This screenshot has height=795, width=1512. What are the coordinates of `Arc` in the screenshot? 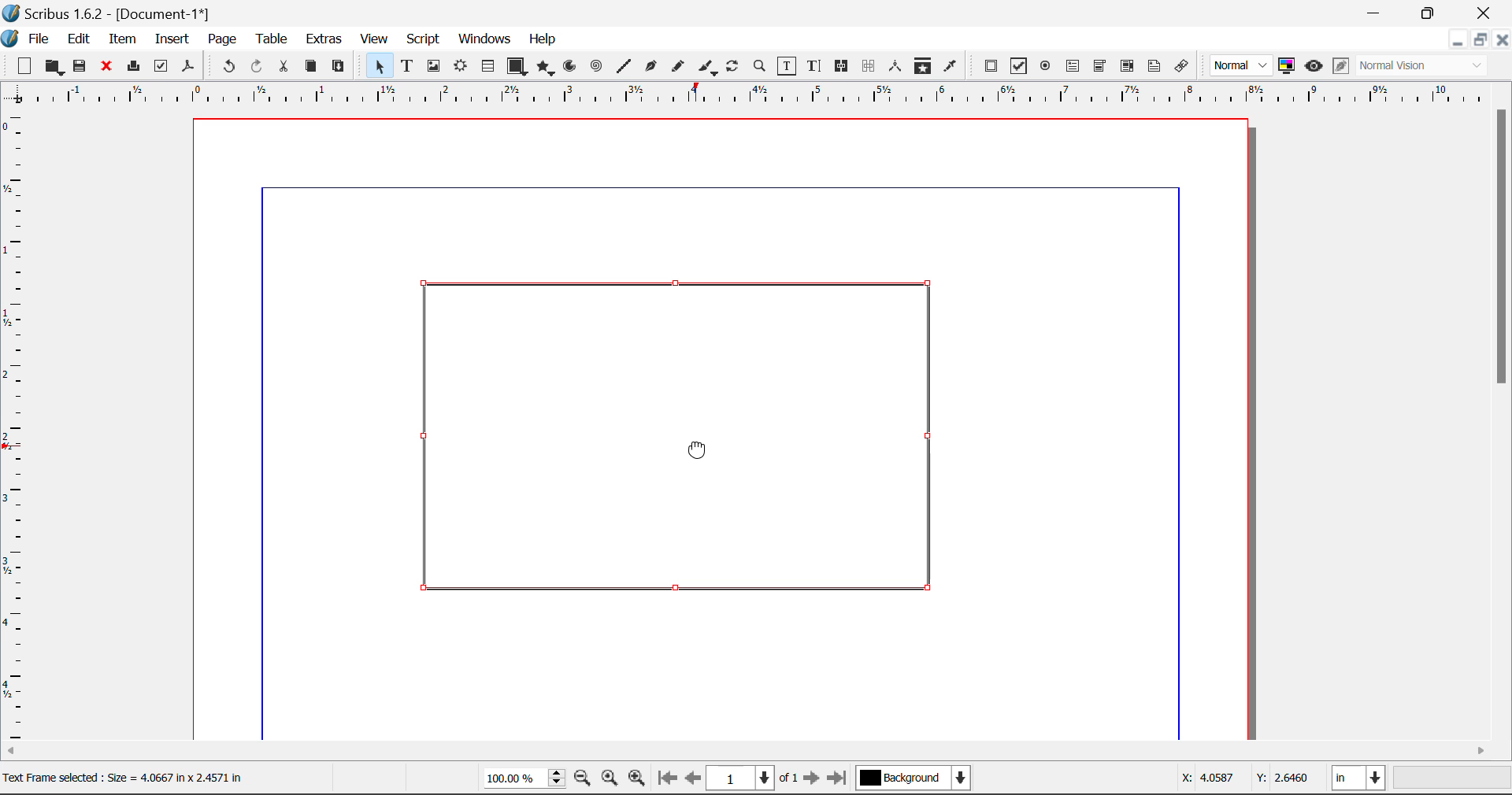 It's located at (571, 68).